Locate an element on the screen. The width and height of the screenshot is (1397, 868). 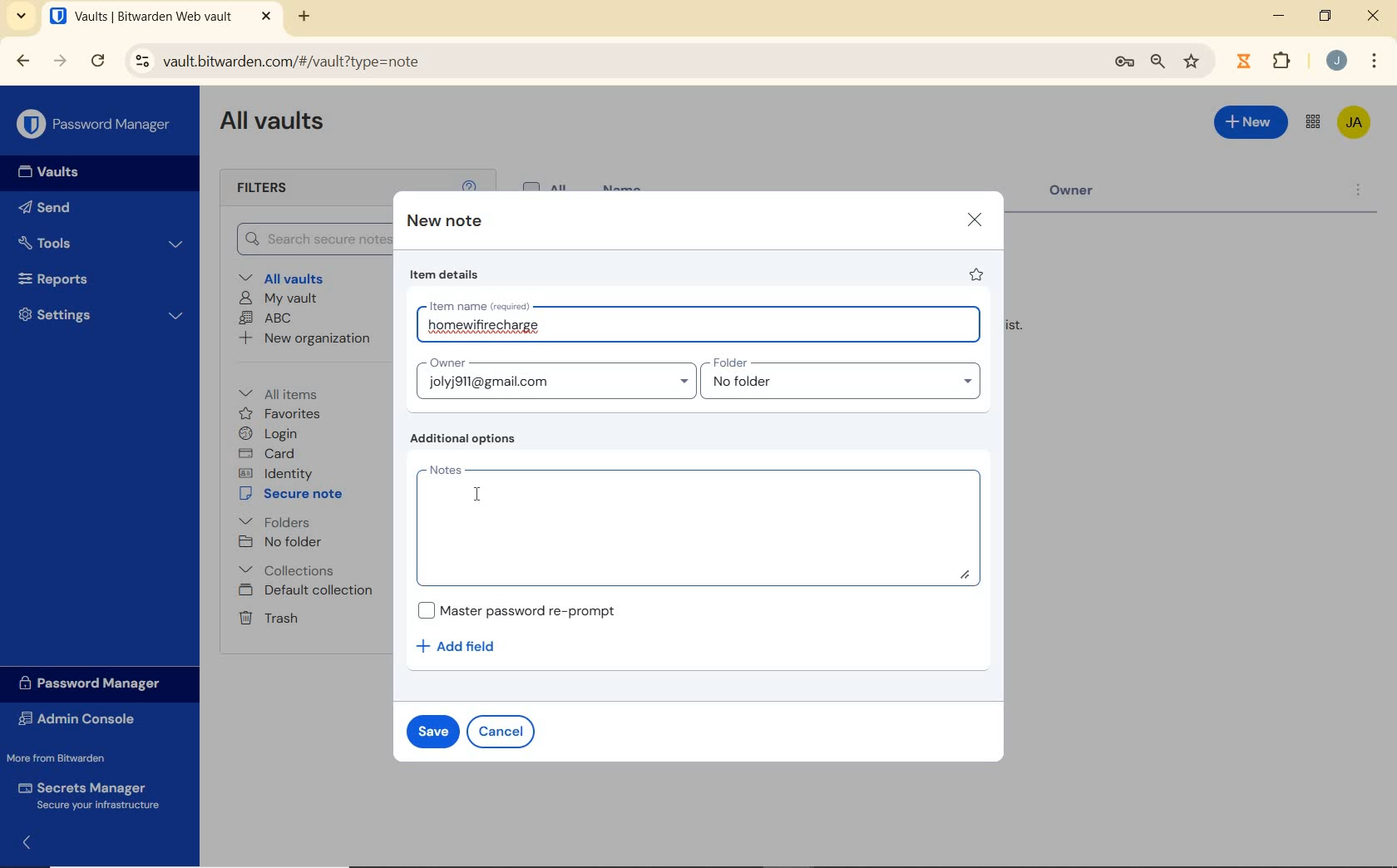
Bitwarden Account is located at coordinates (1355, 124).